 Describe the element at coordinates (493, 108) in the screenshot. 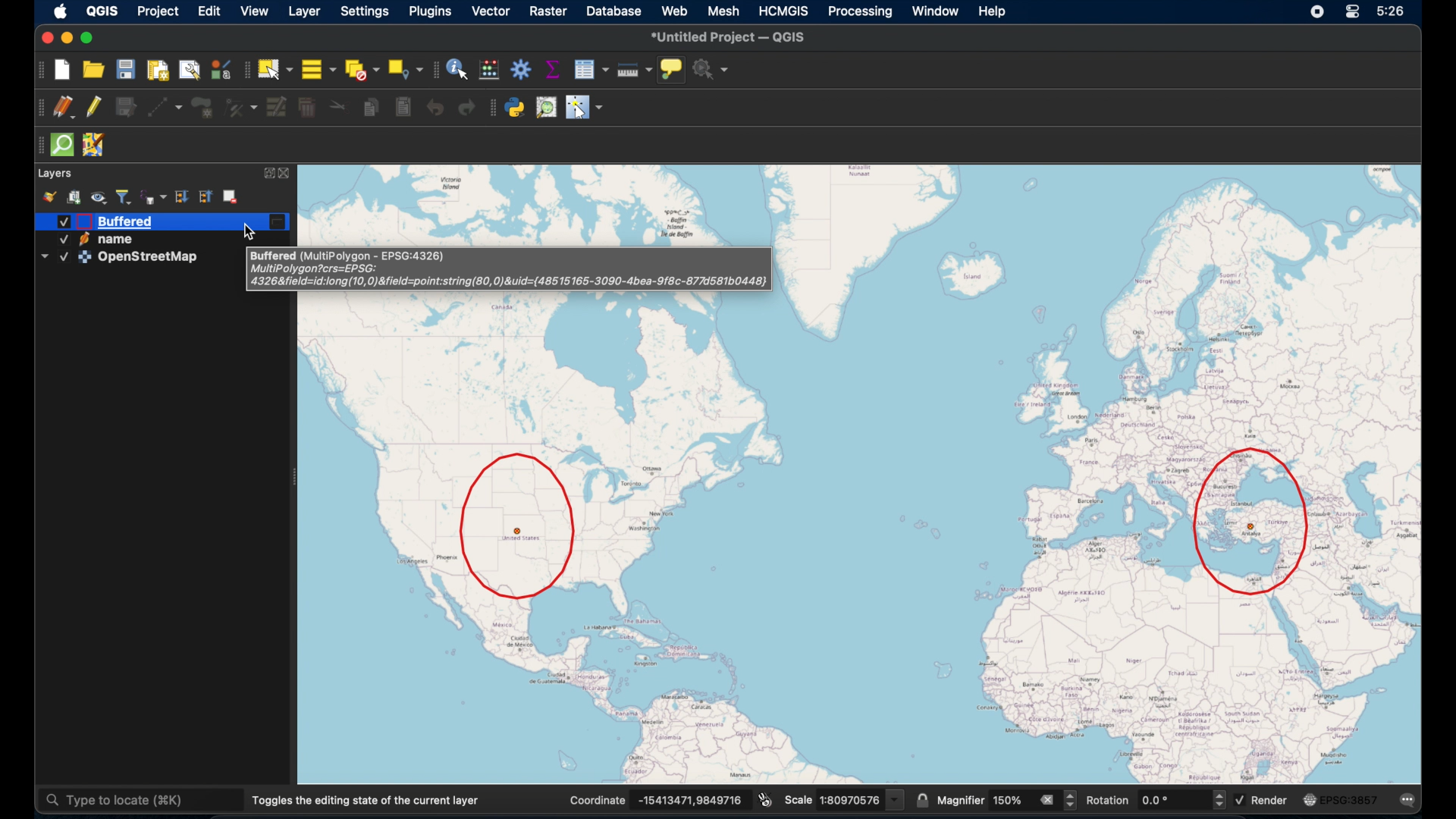

I see `drag handle` at that location.